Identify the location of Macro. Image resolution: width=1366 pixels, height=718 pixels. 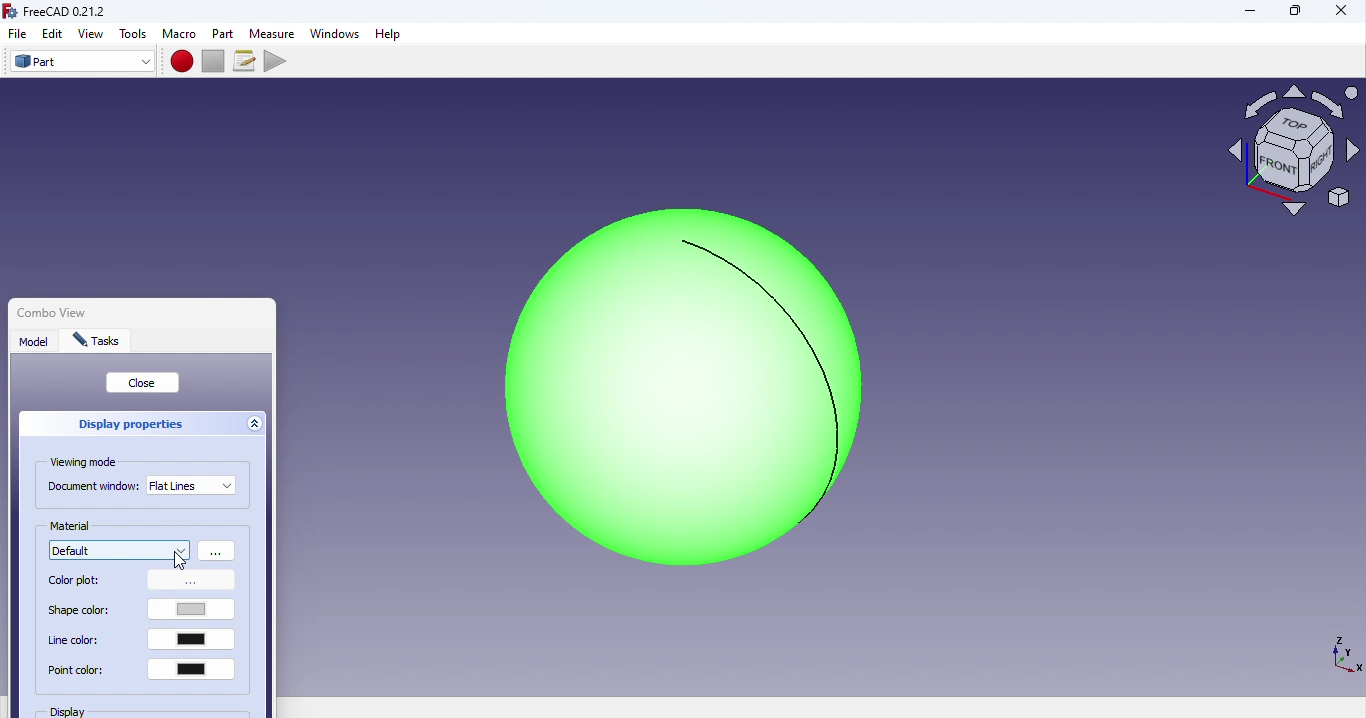
(179, 34).